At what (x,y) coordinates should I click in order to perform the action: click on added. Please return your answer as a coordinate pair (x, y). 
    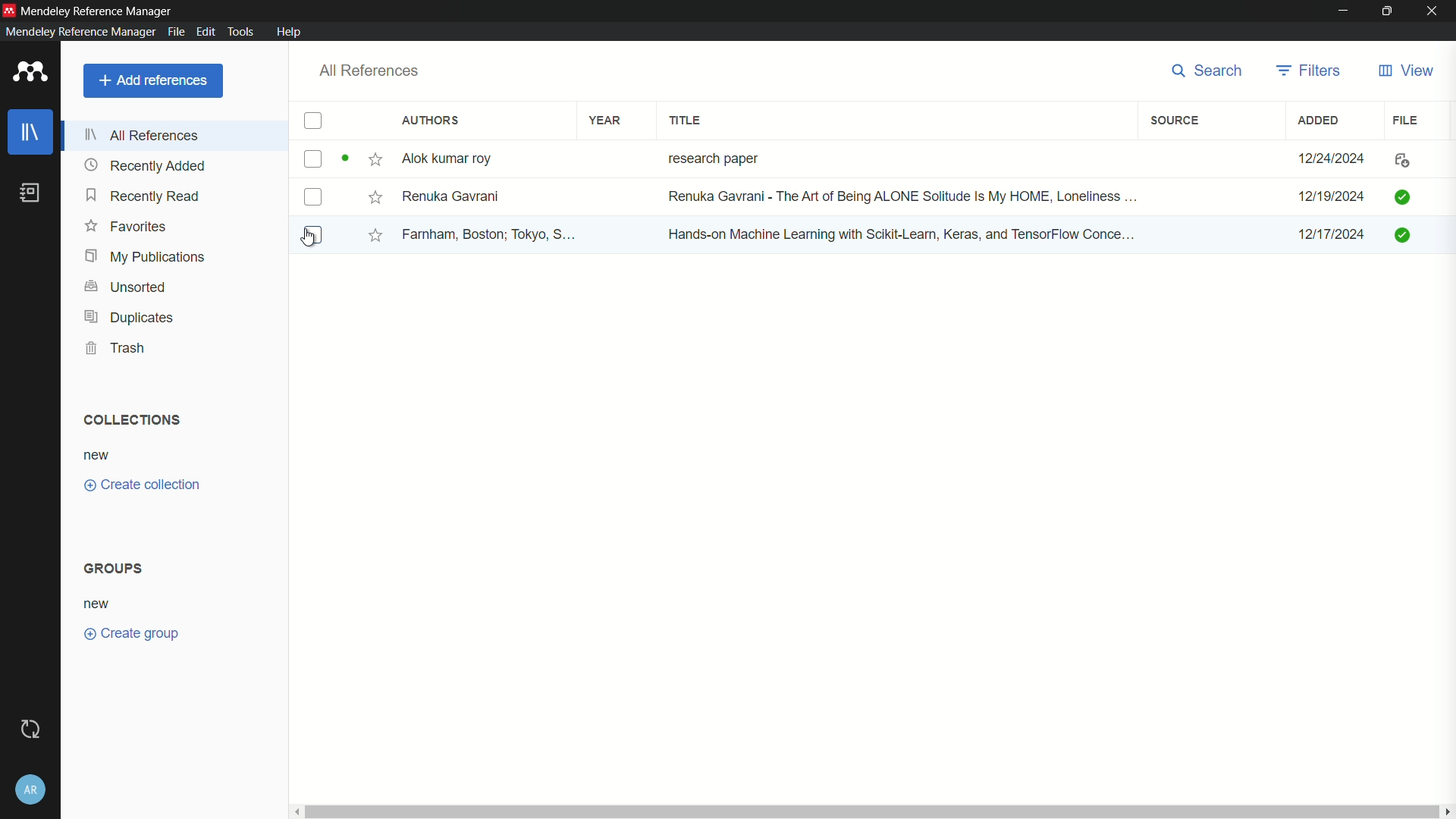
    Looking at the image, I should click on (1319, 121).